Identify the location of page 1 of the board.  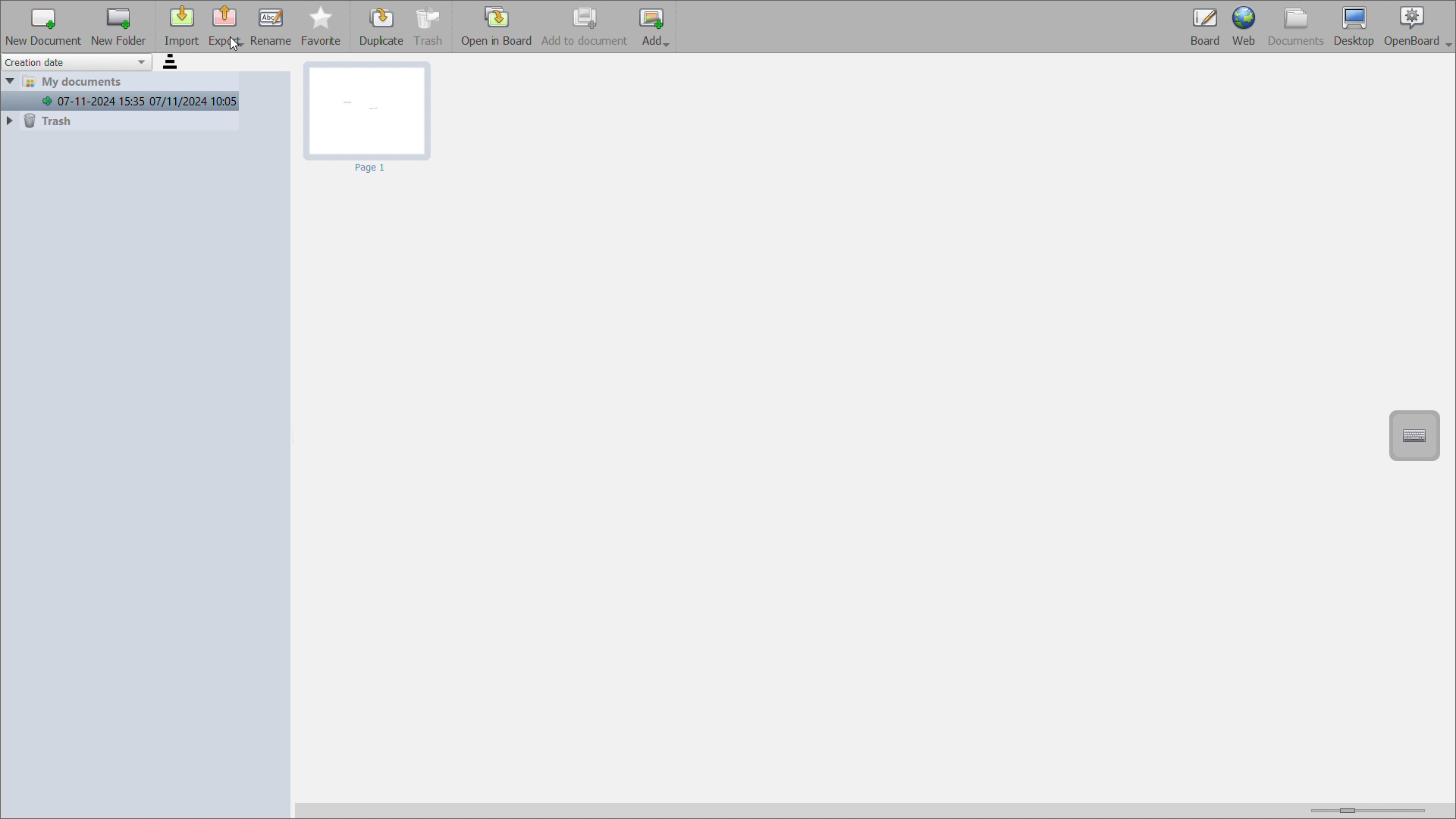
(369, 119).